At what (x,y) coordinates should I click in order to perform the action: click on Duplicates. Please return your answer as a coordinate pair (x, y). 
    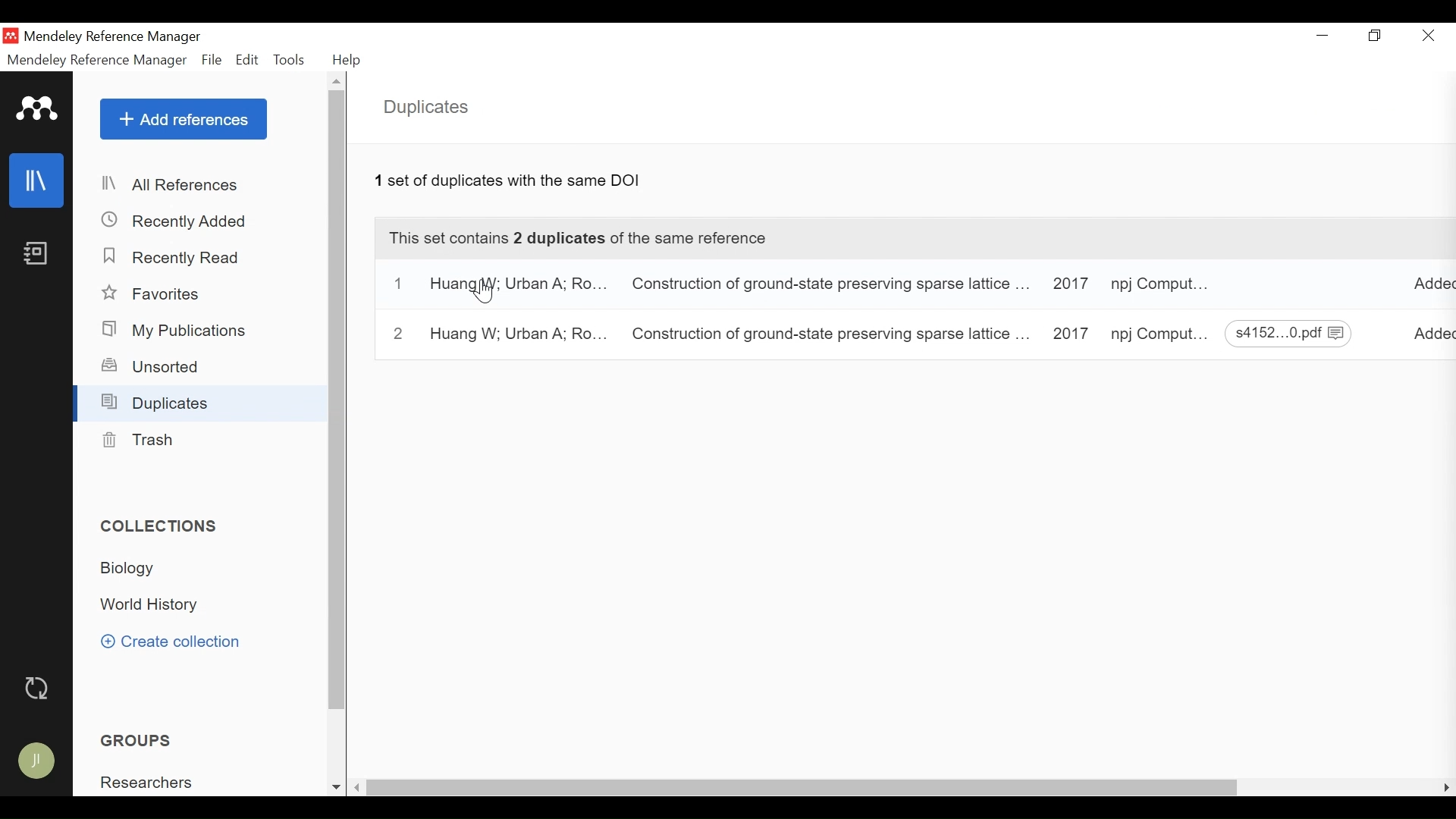
    Looking at the image, I should click on (156, 402).